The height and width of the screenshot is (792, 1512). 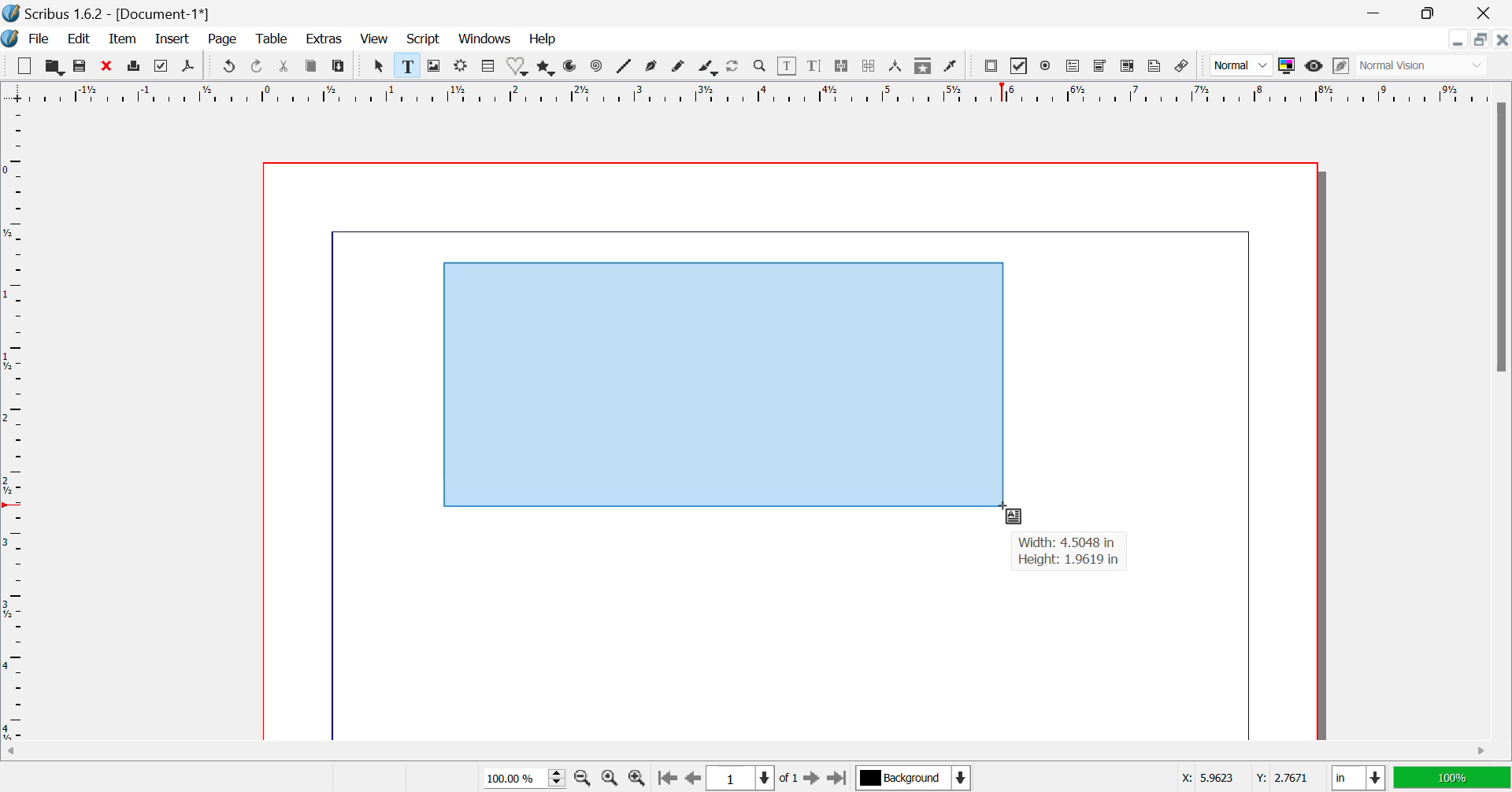 I want to click on Next Page, so click(x=813, y=777).